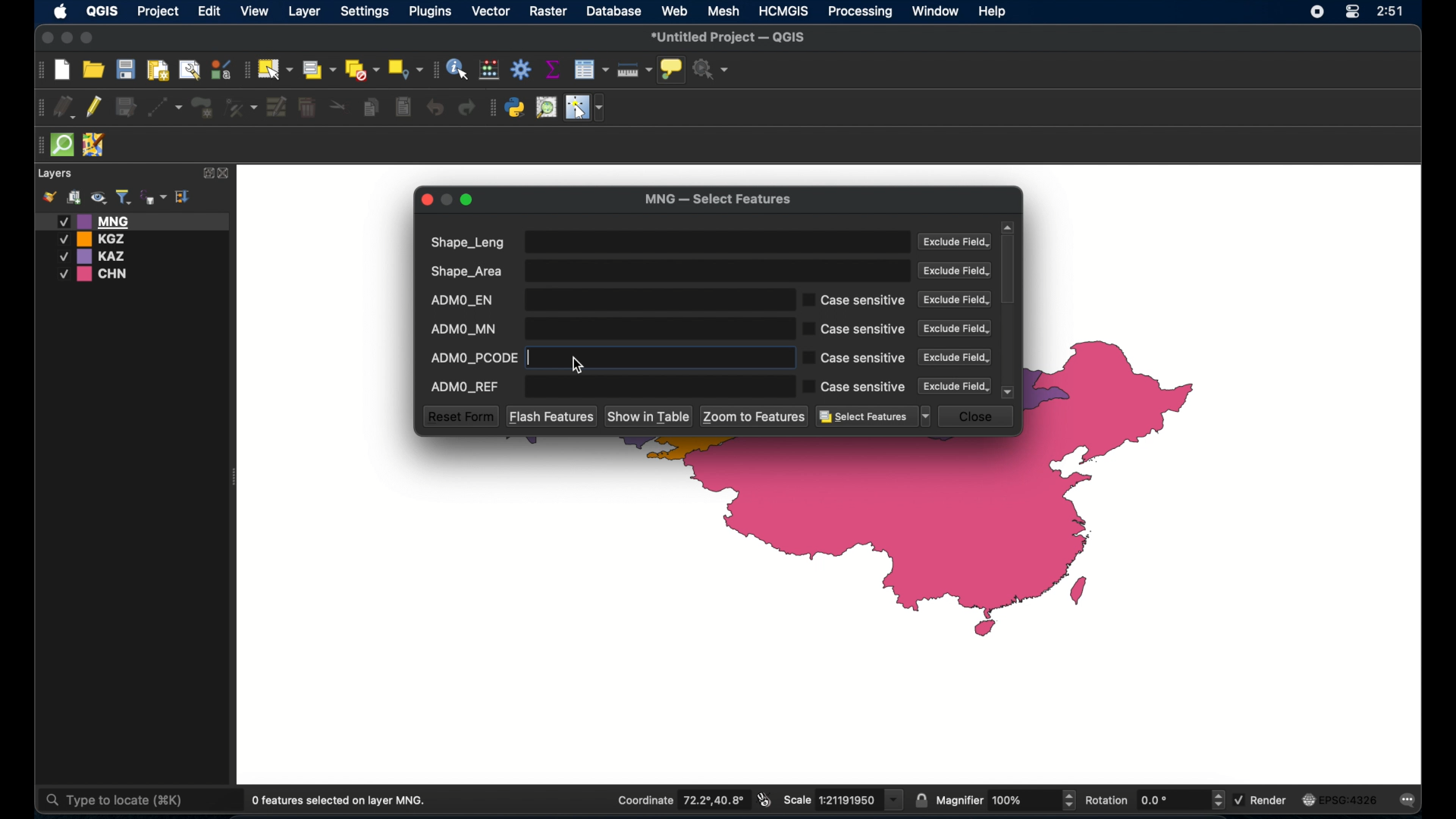 This screenshot has height=819, width=1456. I want to click on scroll box, so click(1010, 271).